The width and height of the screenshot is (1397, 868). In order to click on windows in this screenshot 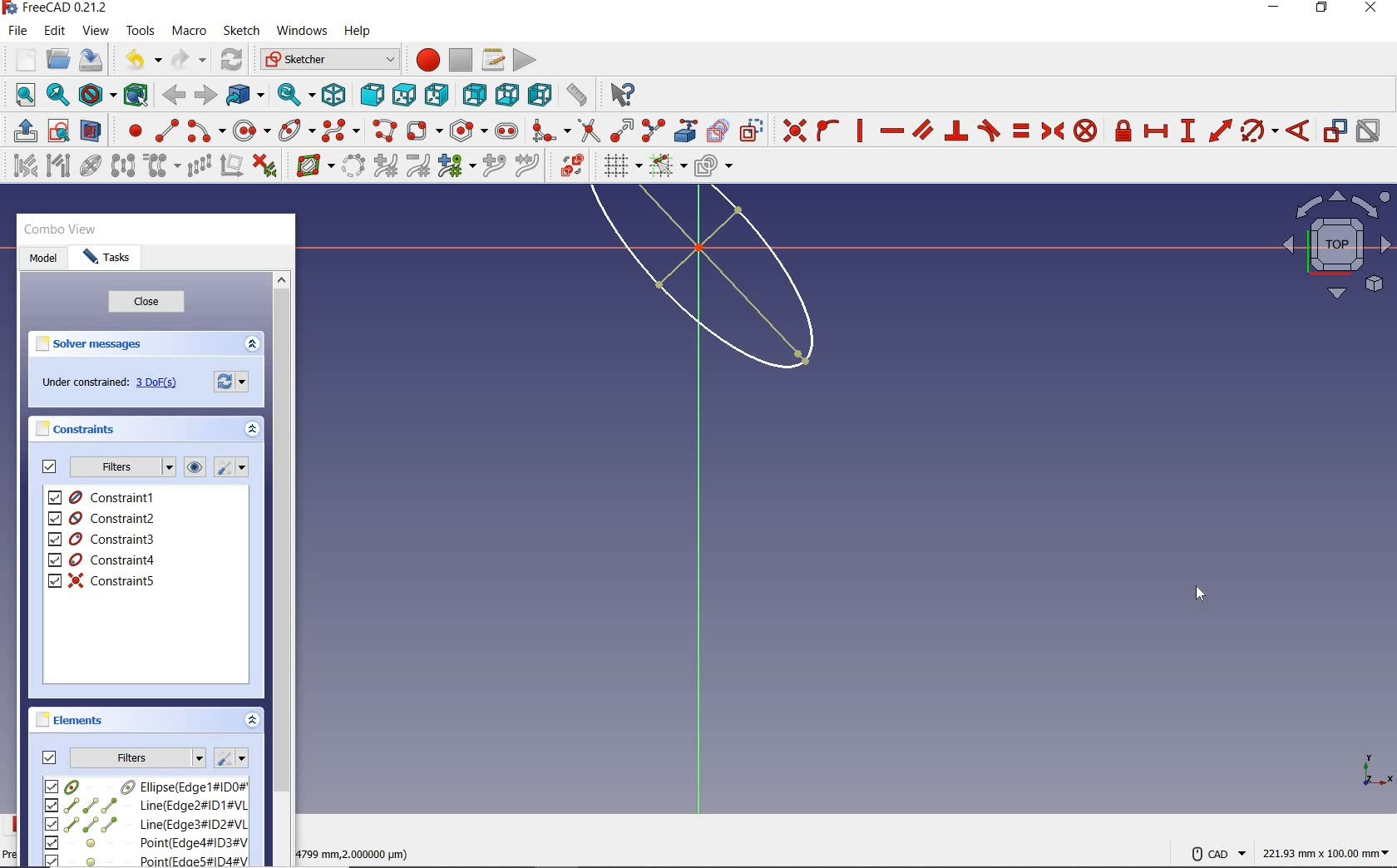, I will do `click(300, 32)`.